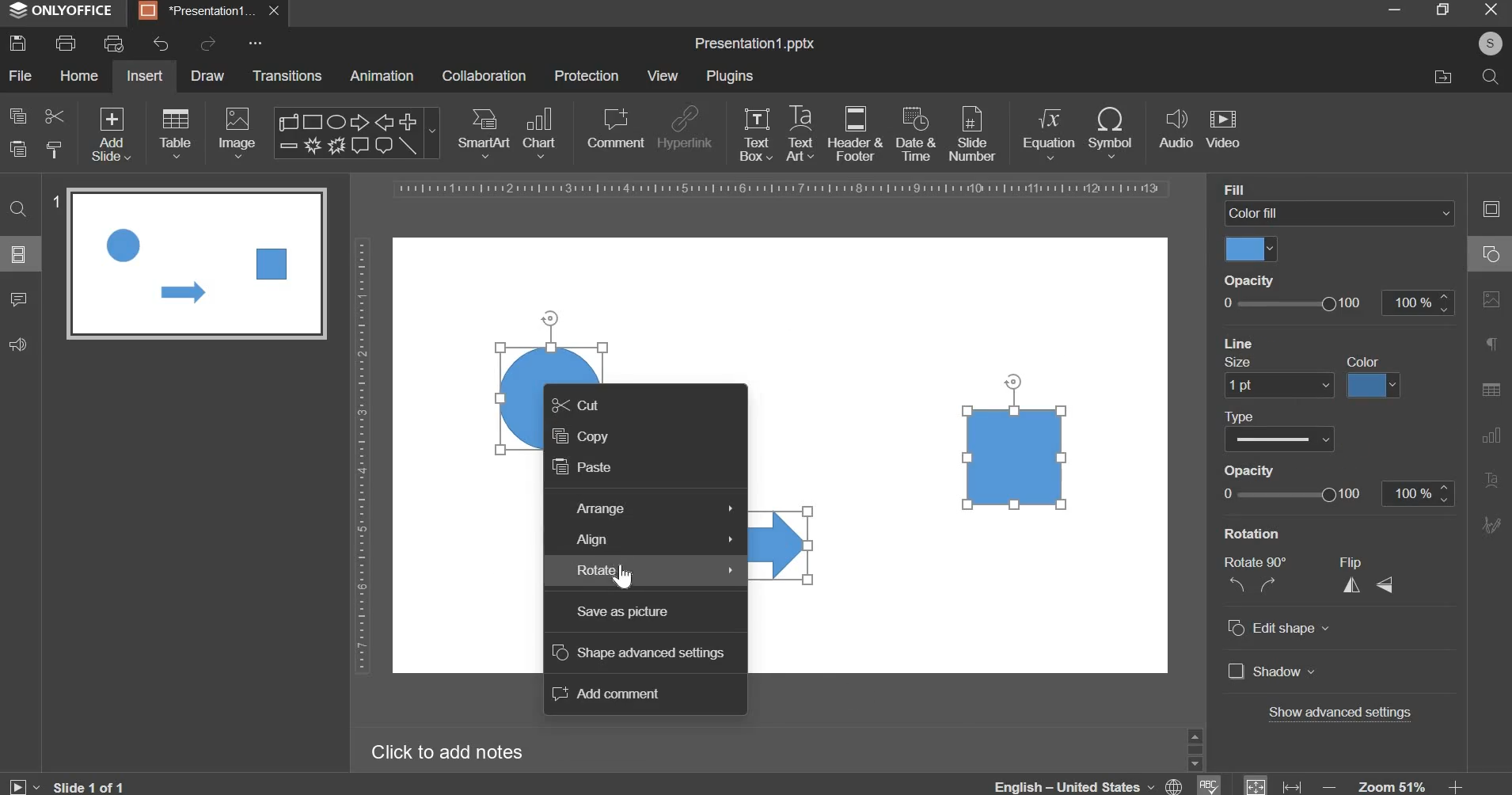  Describe the element at coordinates (78, 74) in the screenshot. I see `home` at that location.